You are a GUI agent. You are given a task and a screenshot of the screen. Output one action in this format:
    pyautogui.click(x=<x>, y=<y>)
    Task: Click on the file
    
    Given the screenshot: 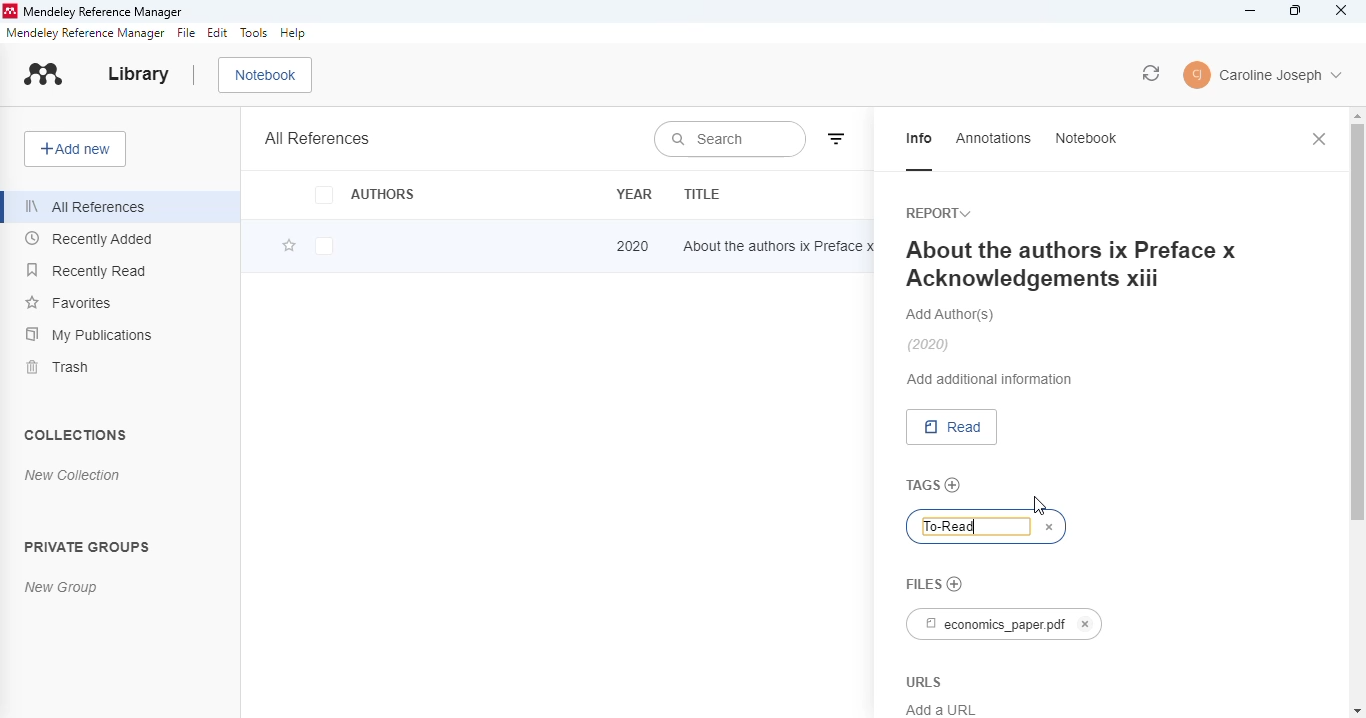 What is the action you would take?
    pyautogui.click(x=186, y=33)
    